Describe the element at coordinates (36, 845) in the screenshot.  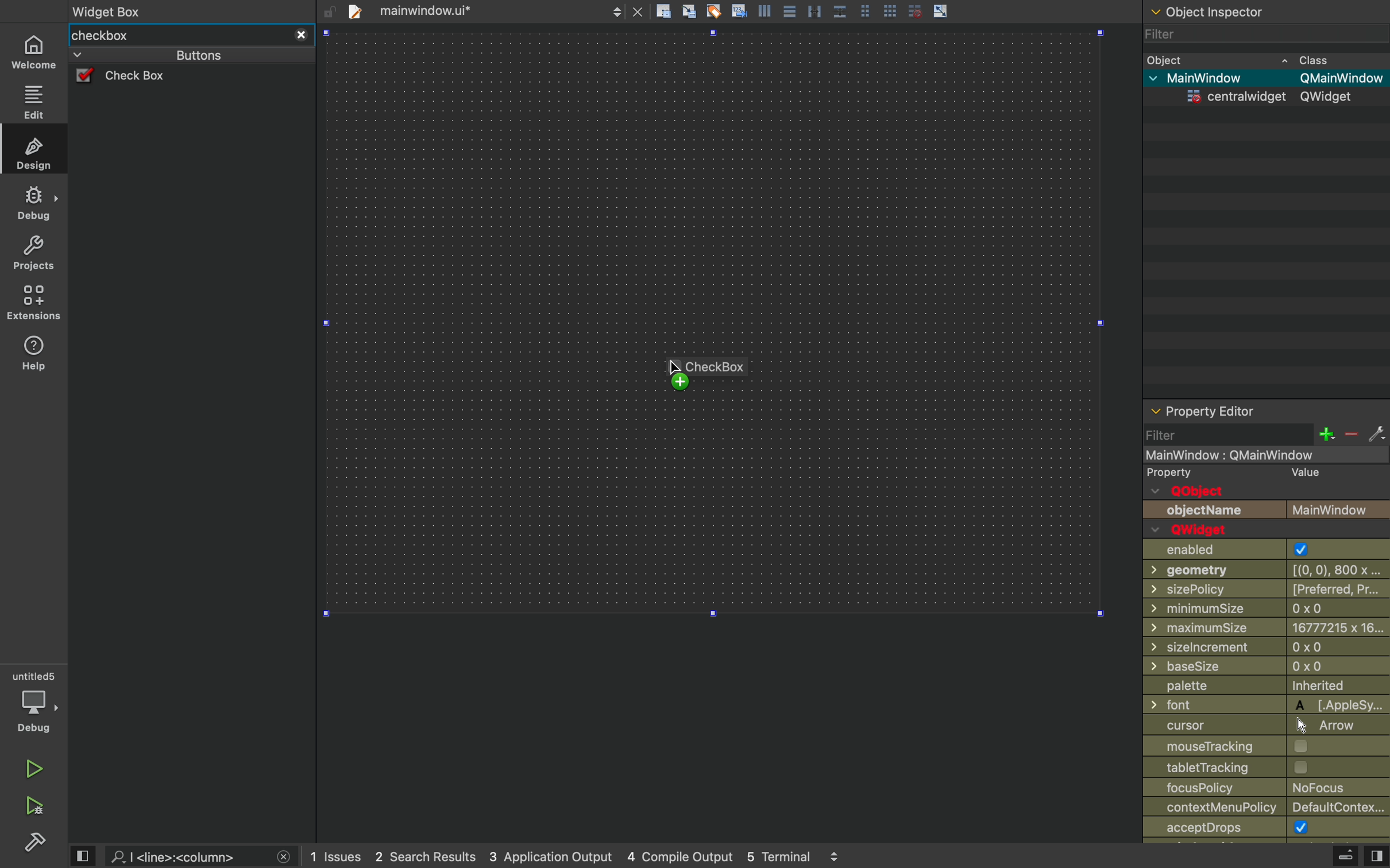
I see `build` at that location.